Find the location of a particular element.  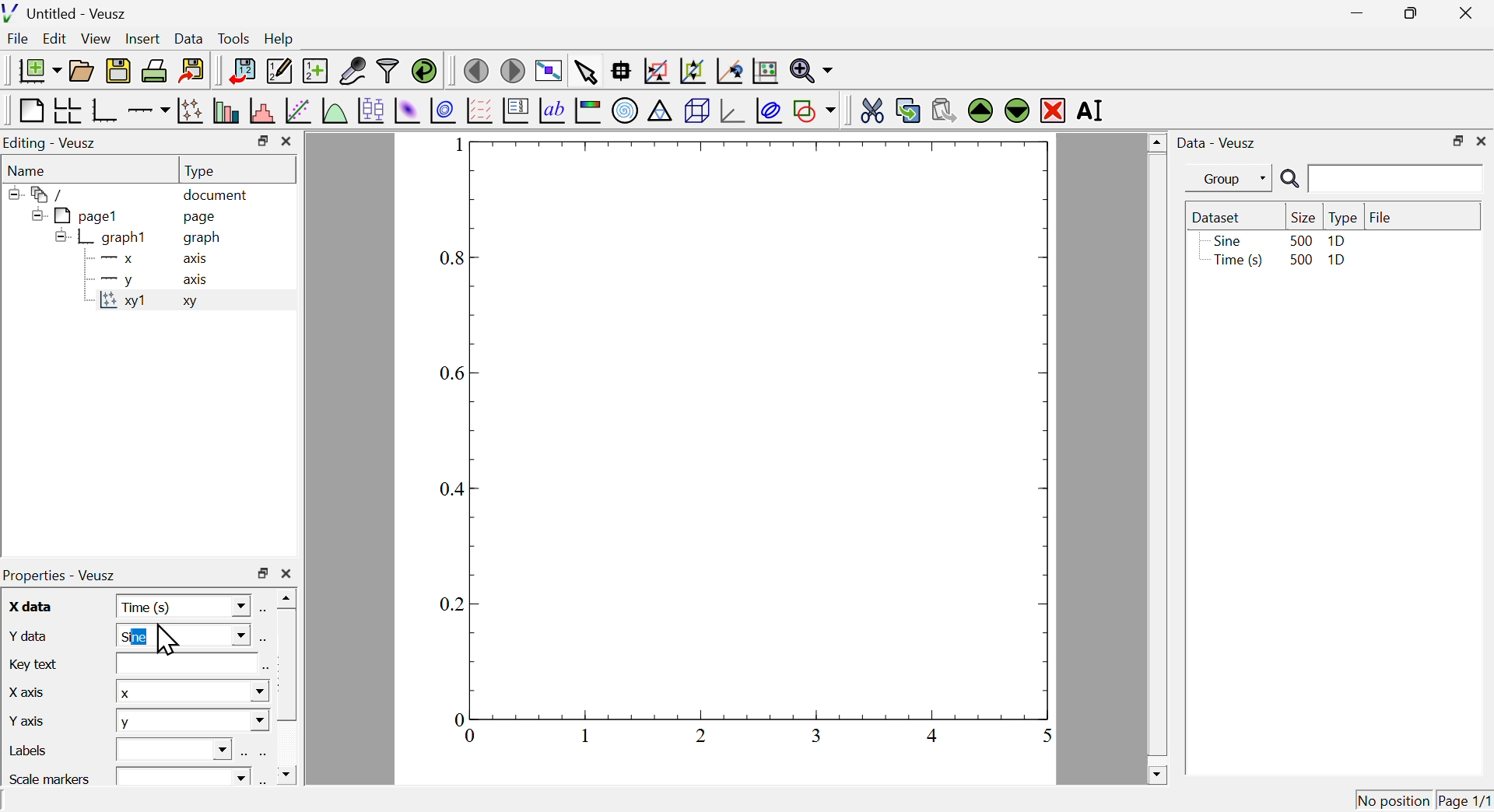

x data is located at coordinates (32, 606).